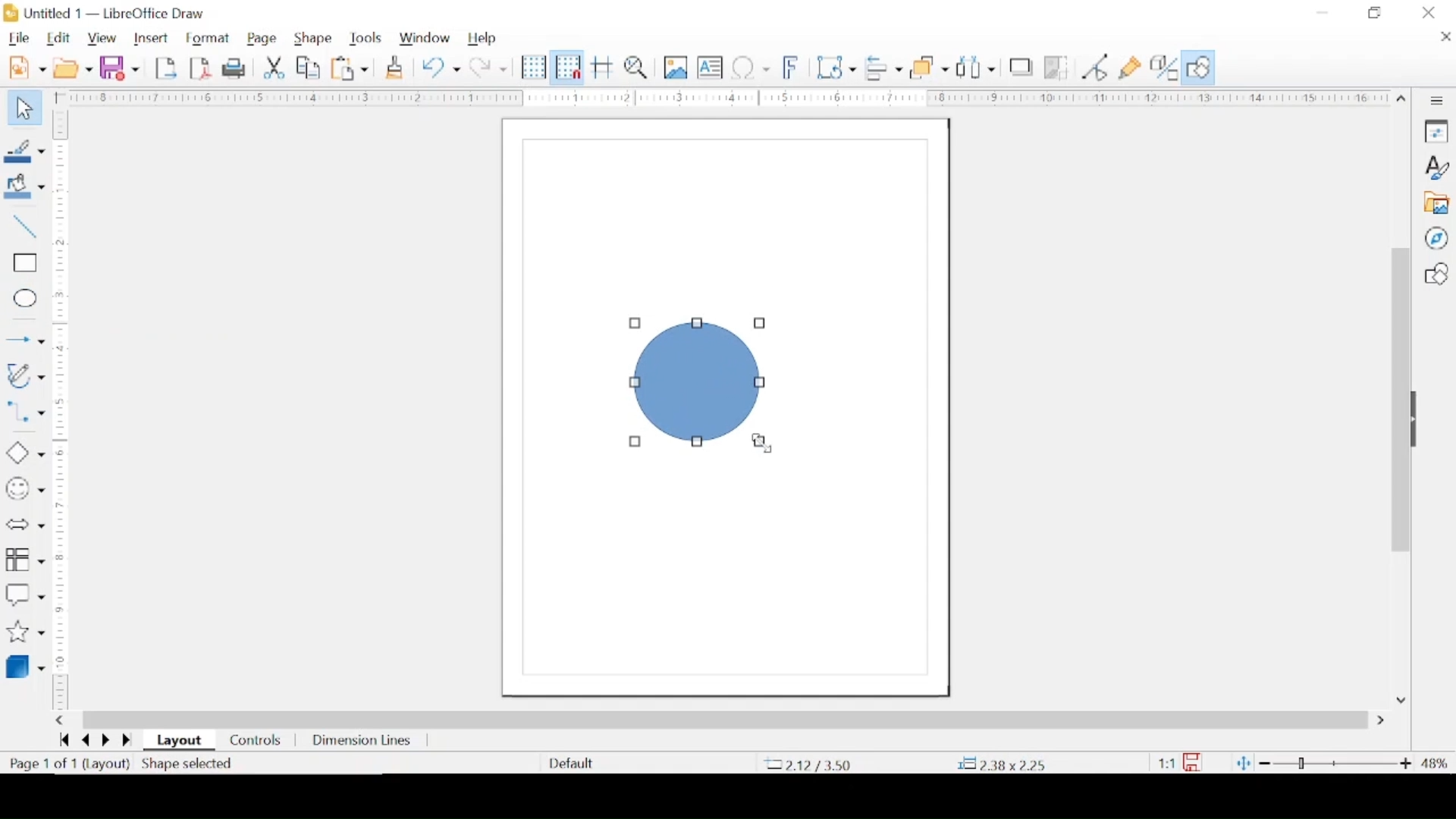 This screenshot has height=819, width=1456. What do you see at coordinates (46, 764) in the screenshot?
I see `page count` at bounding box center [46, 764].